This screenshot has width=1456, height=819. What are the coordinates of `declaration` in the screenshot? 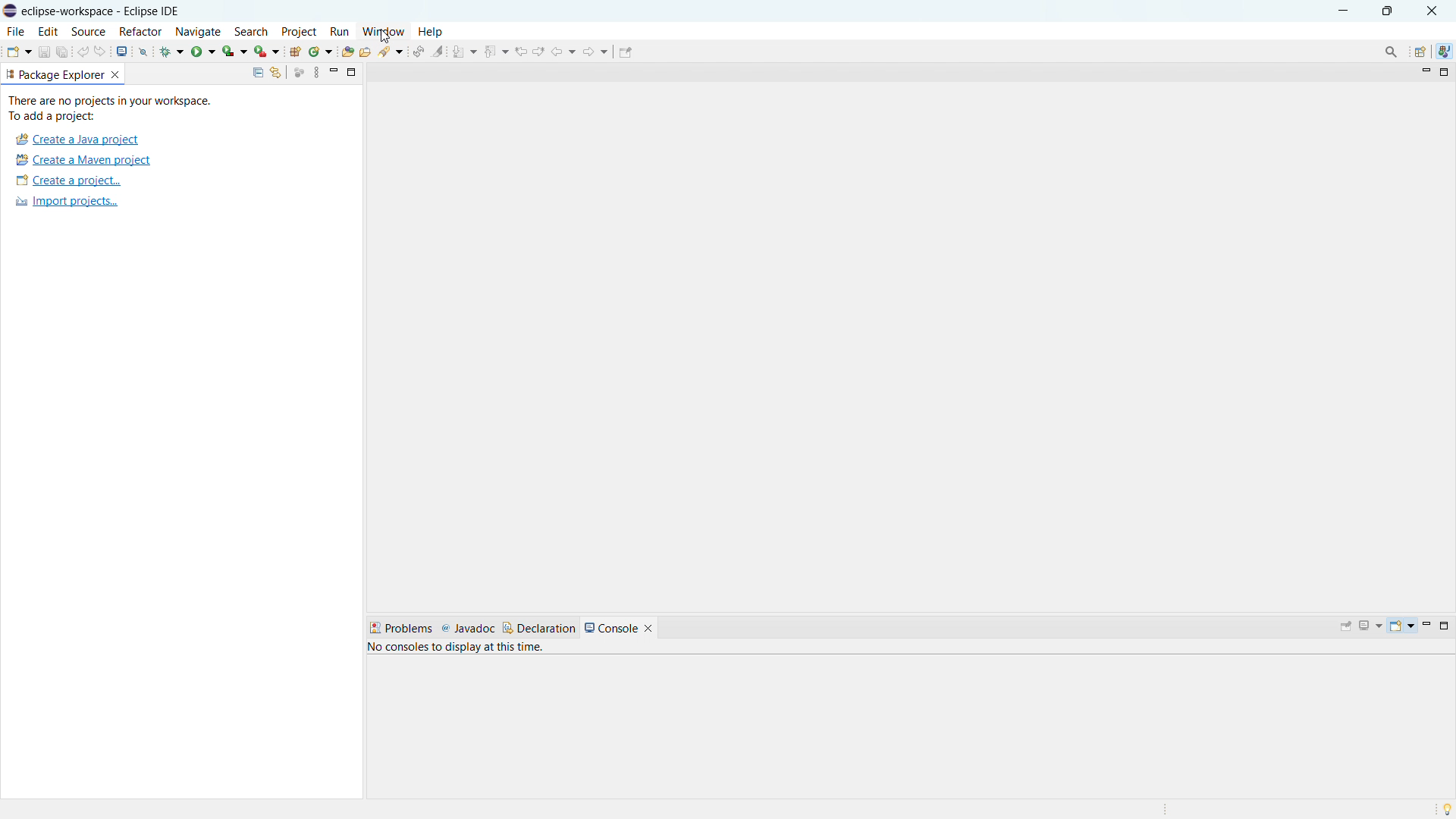 It's located at (539, 628).